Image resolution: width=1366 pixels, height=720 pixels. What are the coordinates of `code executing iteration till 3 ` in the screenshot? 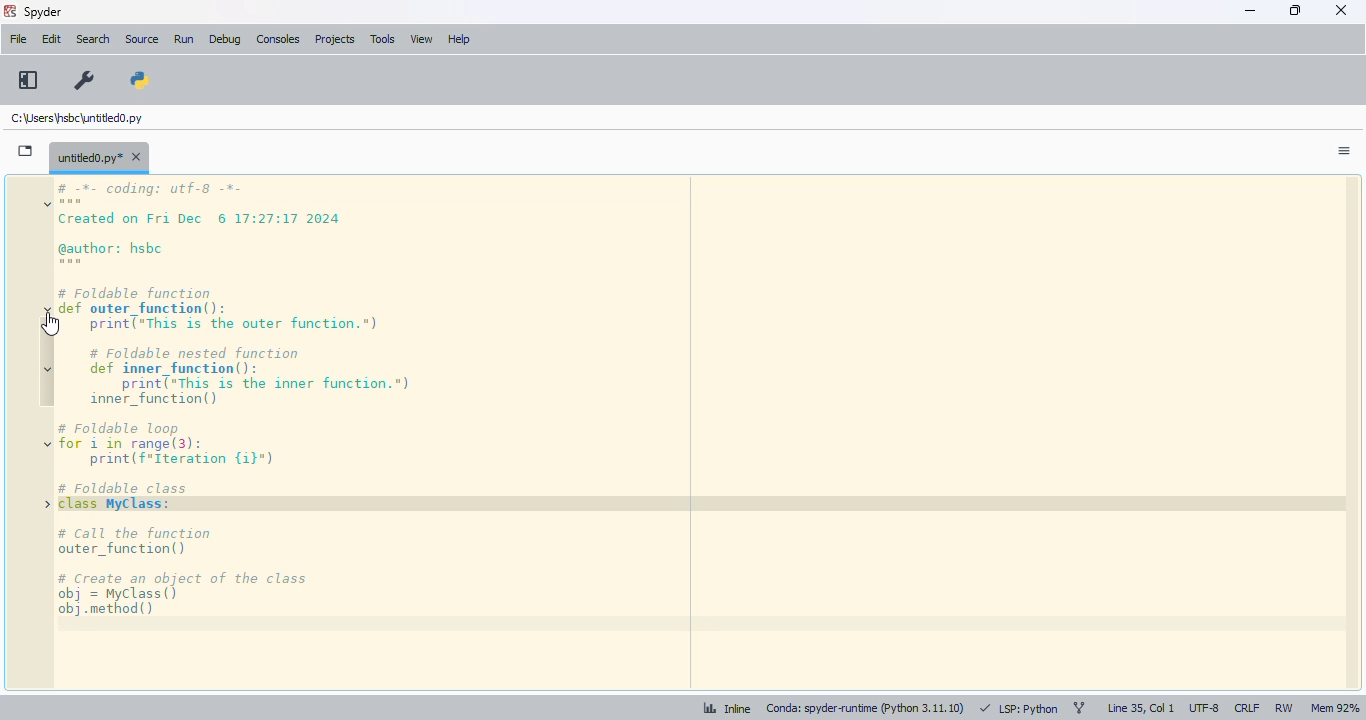 It's located at (712, 433).